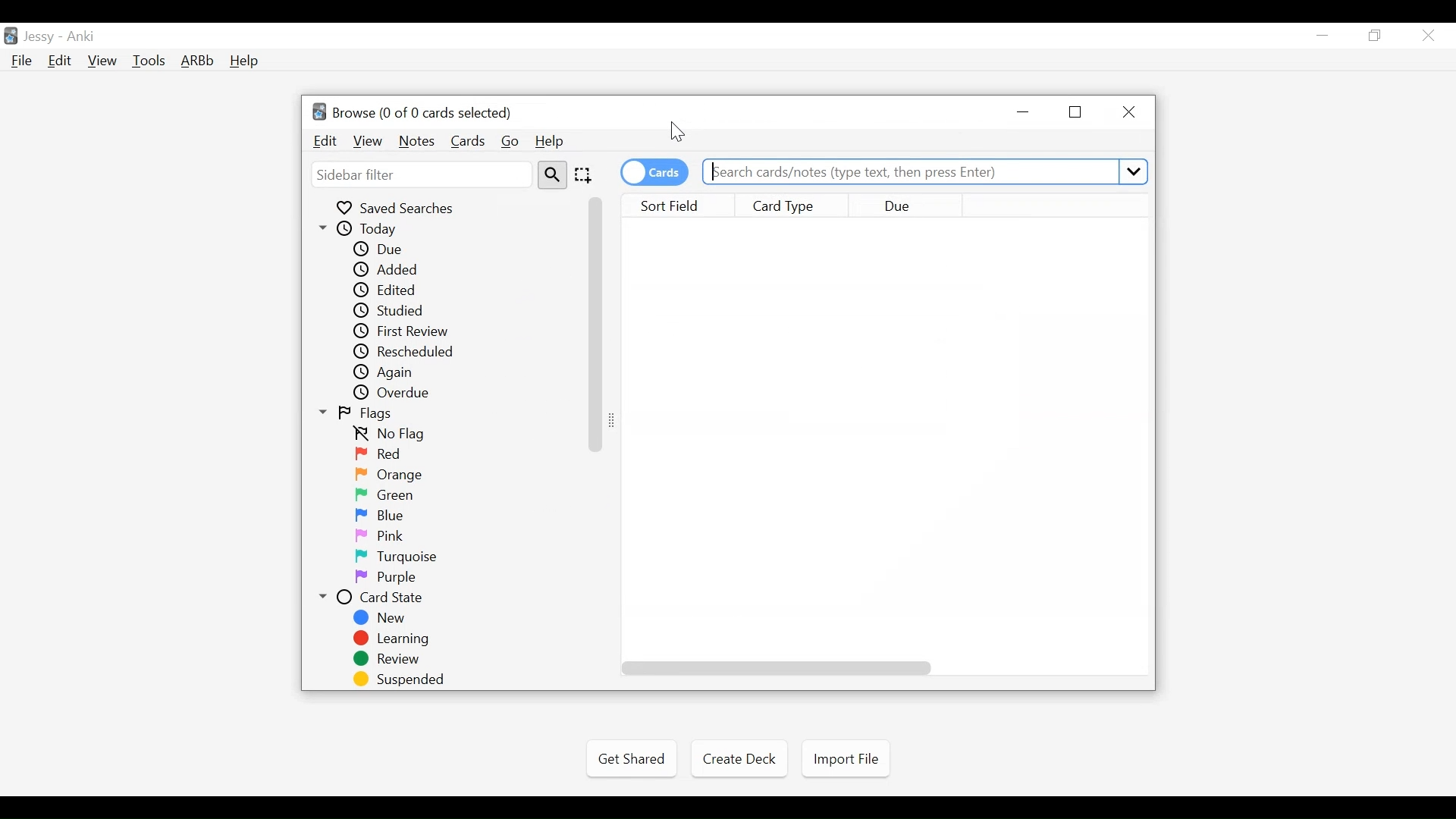 The image size is (1456, 819). What do you see at coordinates (392, 374) in the screenshot?
I see `Again` at bounding box center [392, 374].